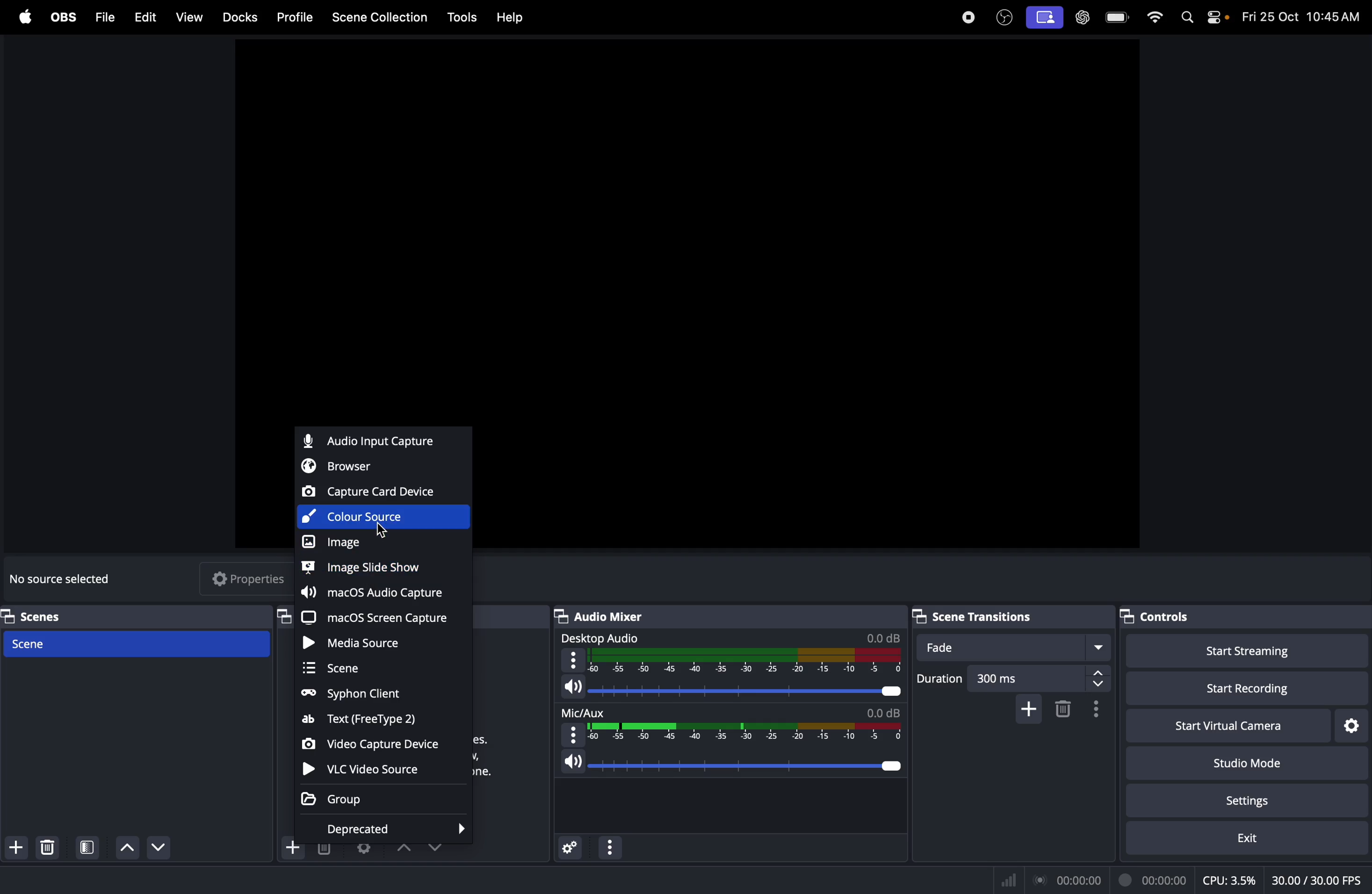 The height and width of the screenshot is (894, 1372). Describe the element at coordinates (1241, 652) in the screenshot. I see `start streaming` at that location.